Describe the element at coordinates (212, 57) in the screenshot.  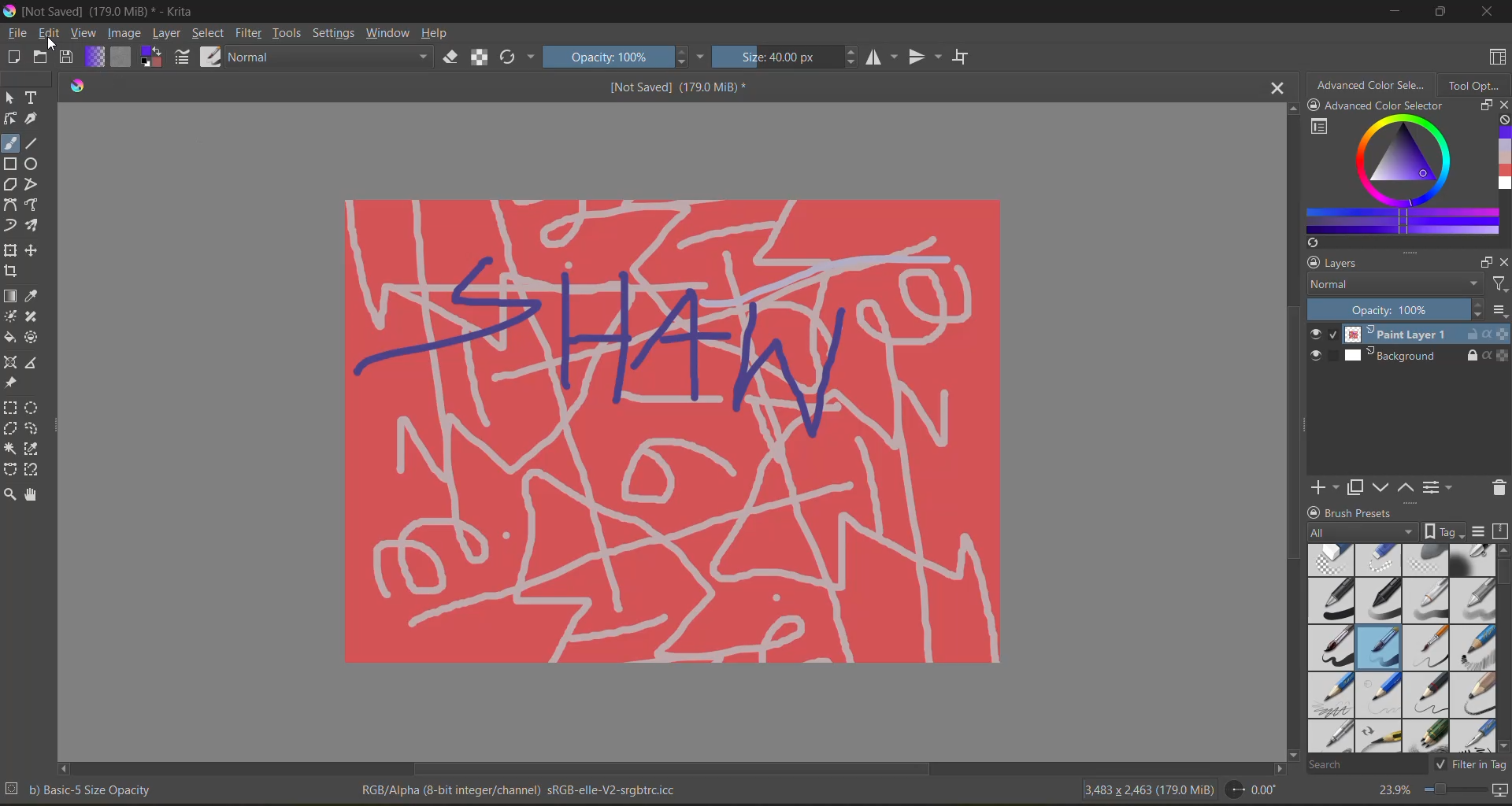
I see `choose brush preset` at that location.